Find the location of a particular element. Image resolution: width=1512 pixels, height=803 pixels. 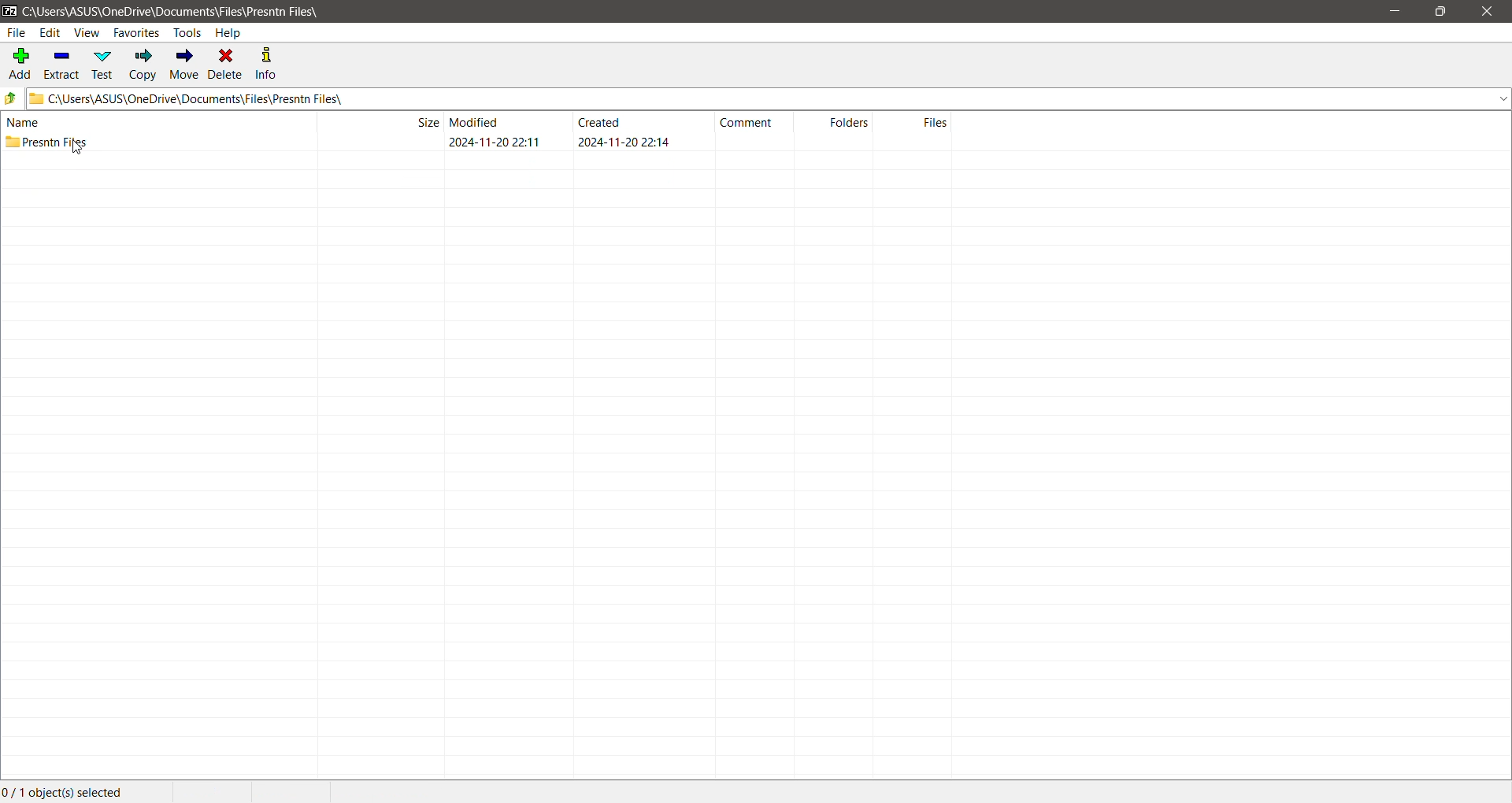

files is located at coordinates (936, 122).